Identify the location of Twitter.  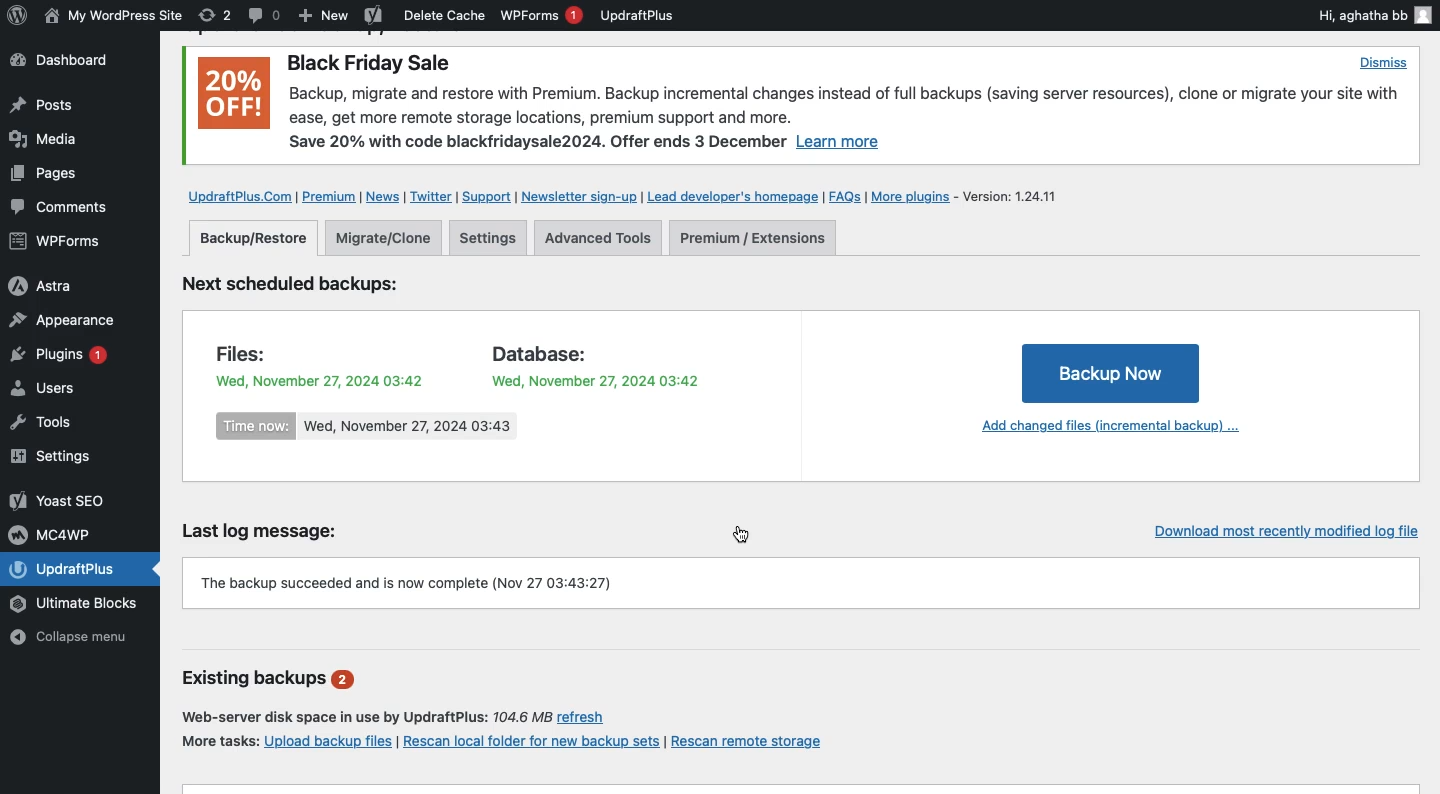
(432, 197).